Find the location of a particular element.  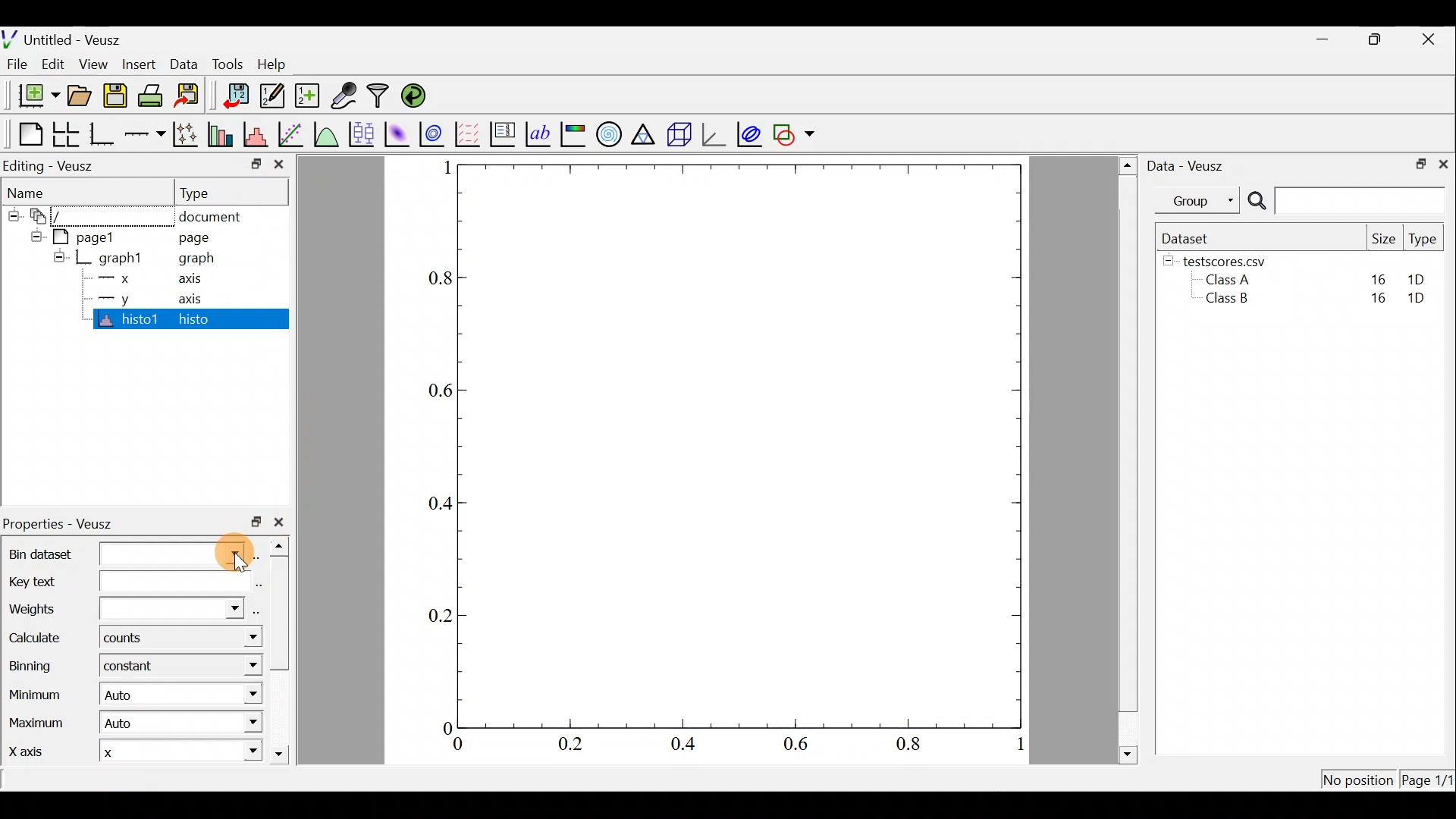

Import data into veusz is located at coordinates (235, 96).